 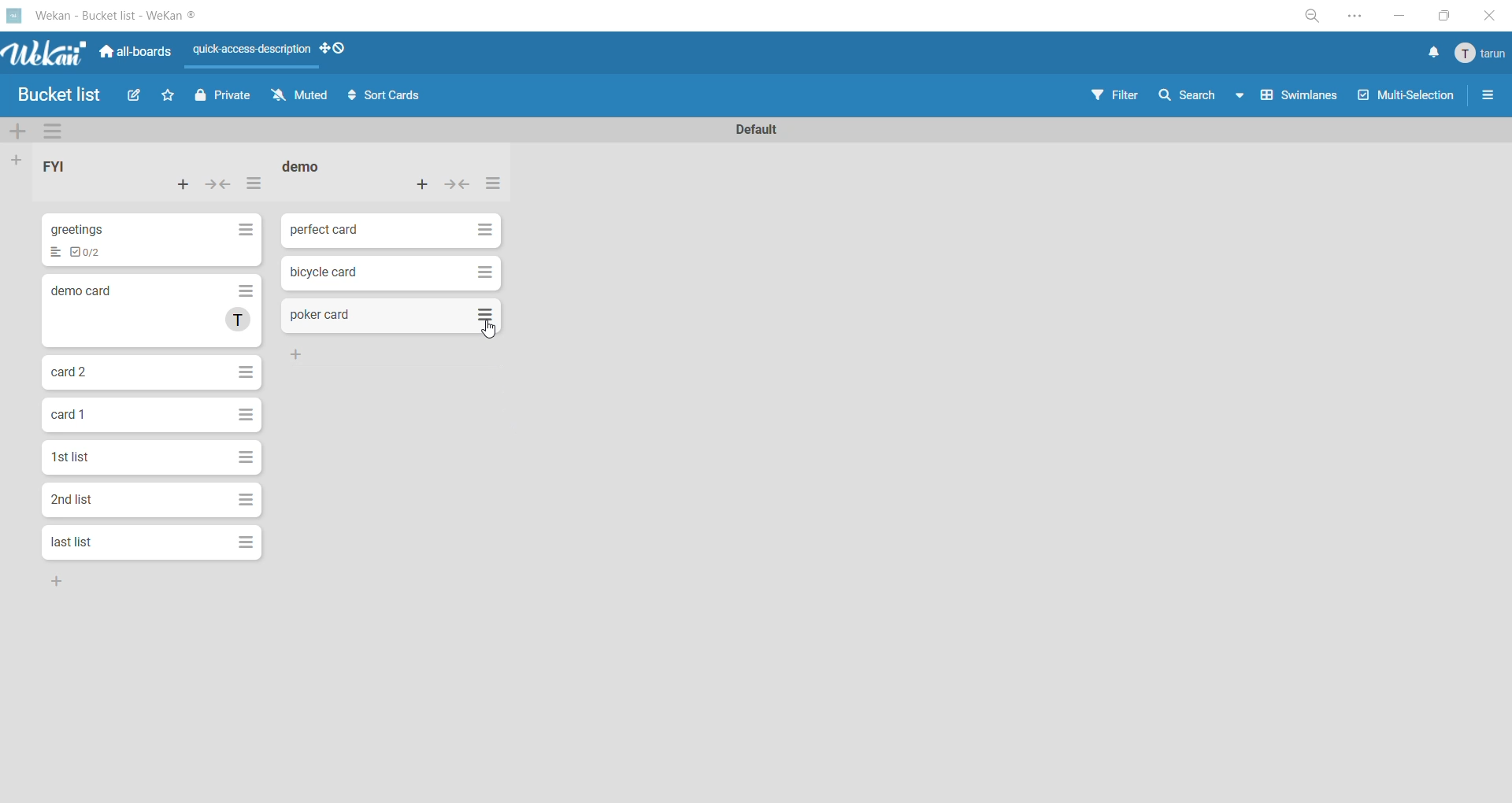 What do you see at coordinates (64, 96) in the screenshot?
I see `Bucket list` at bounding box center [64, 96].